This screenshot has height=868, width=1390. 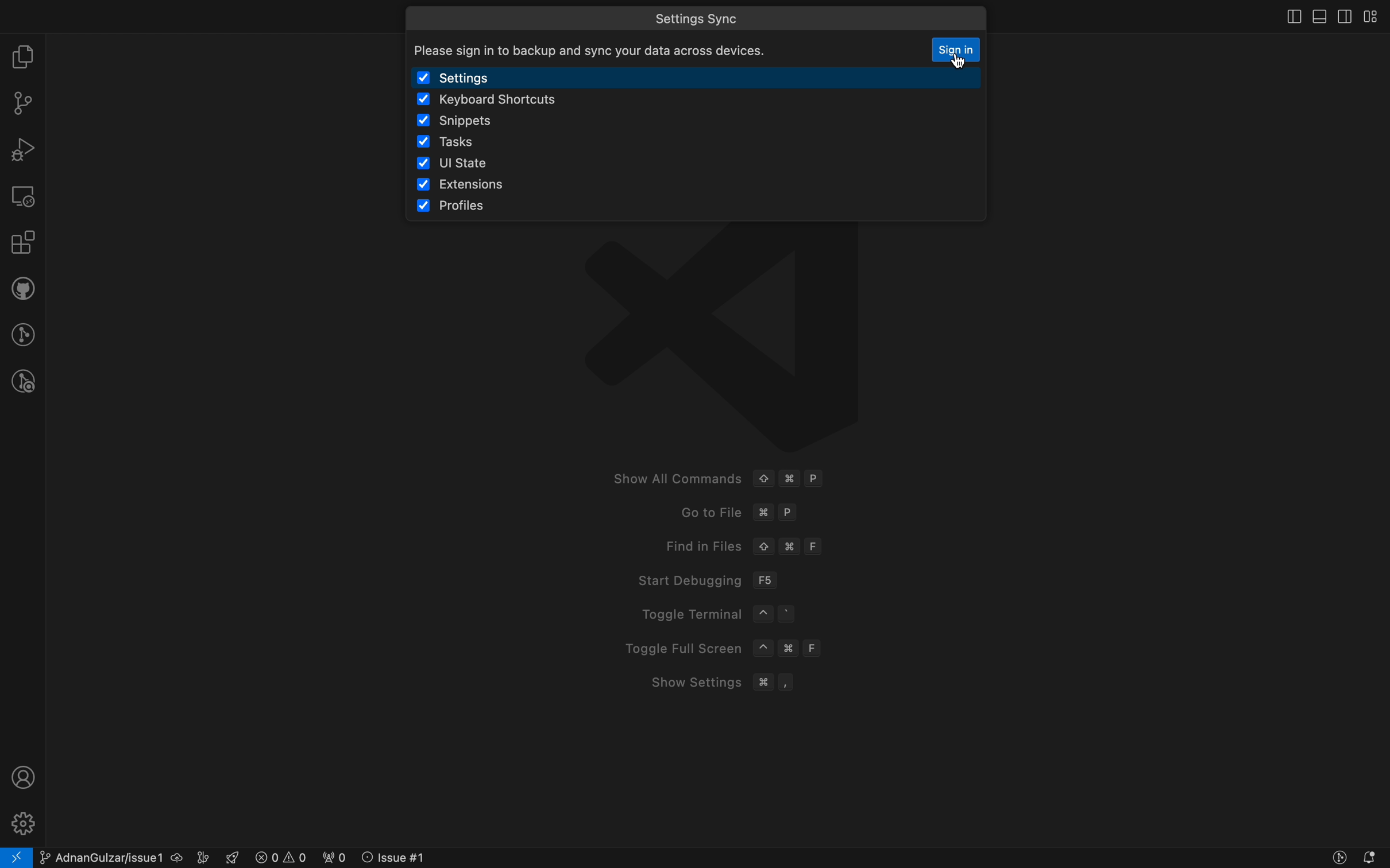 I want to click on extensions, so click(x=472, y=185).